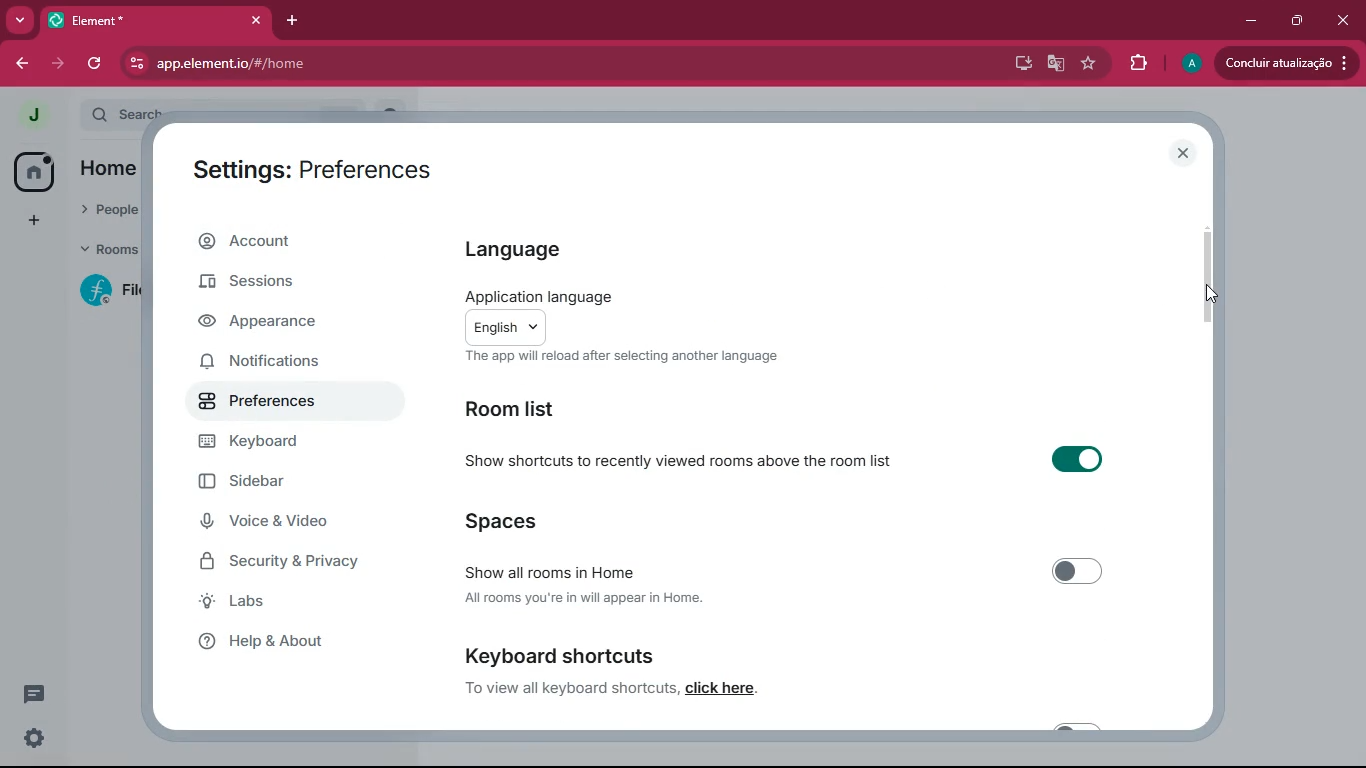 The image size is (1366, 768). What do you see at coordinates (277, 246) in the screenshot?
I see `account` at bounding box center [277, 246].